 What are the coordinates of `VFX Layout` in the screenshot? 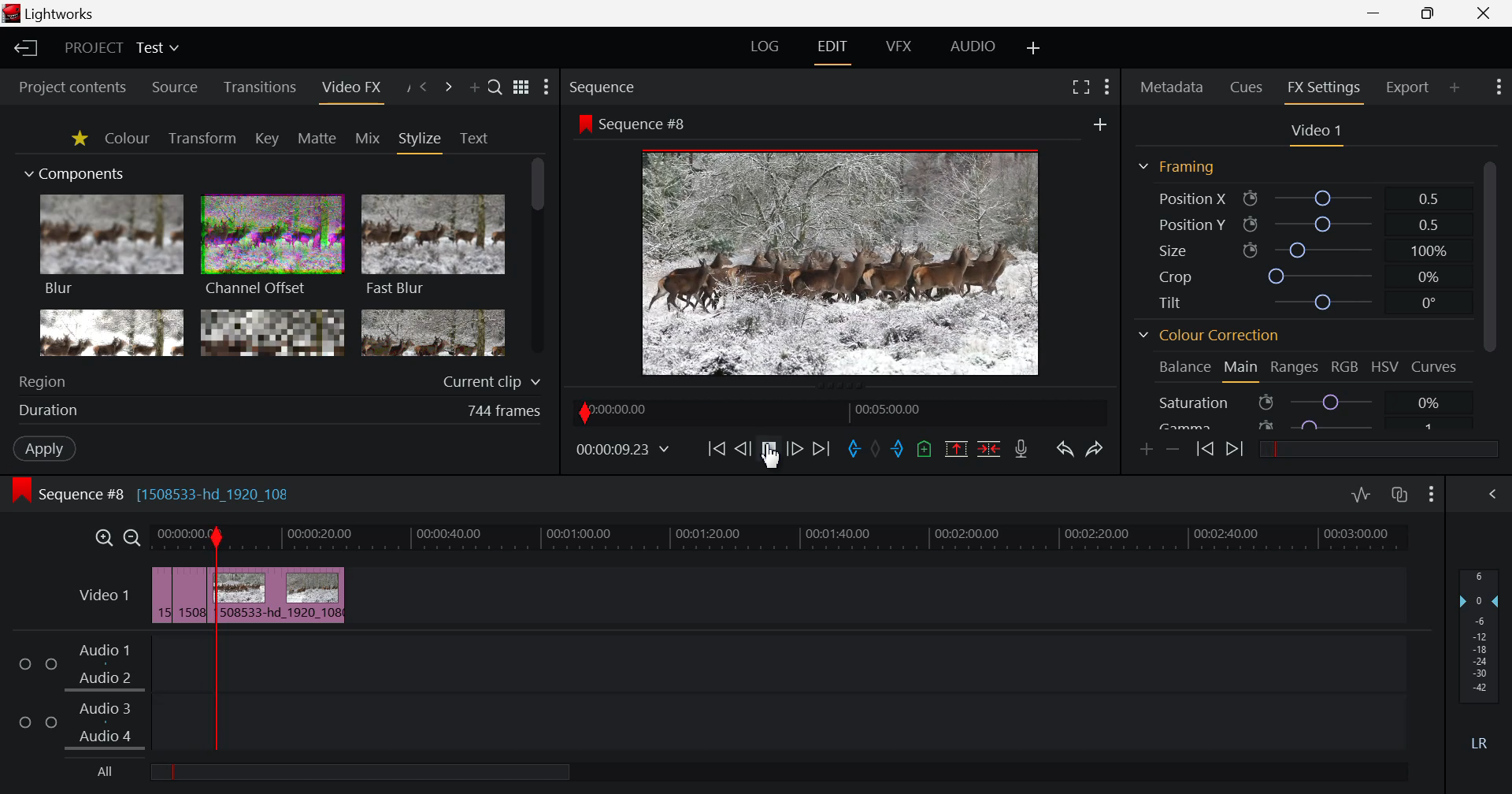 It's located at (898, 47).